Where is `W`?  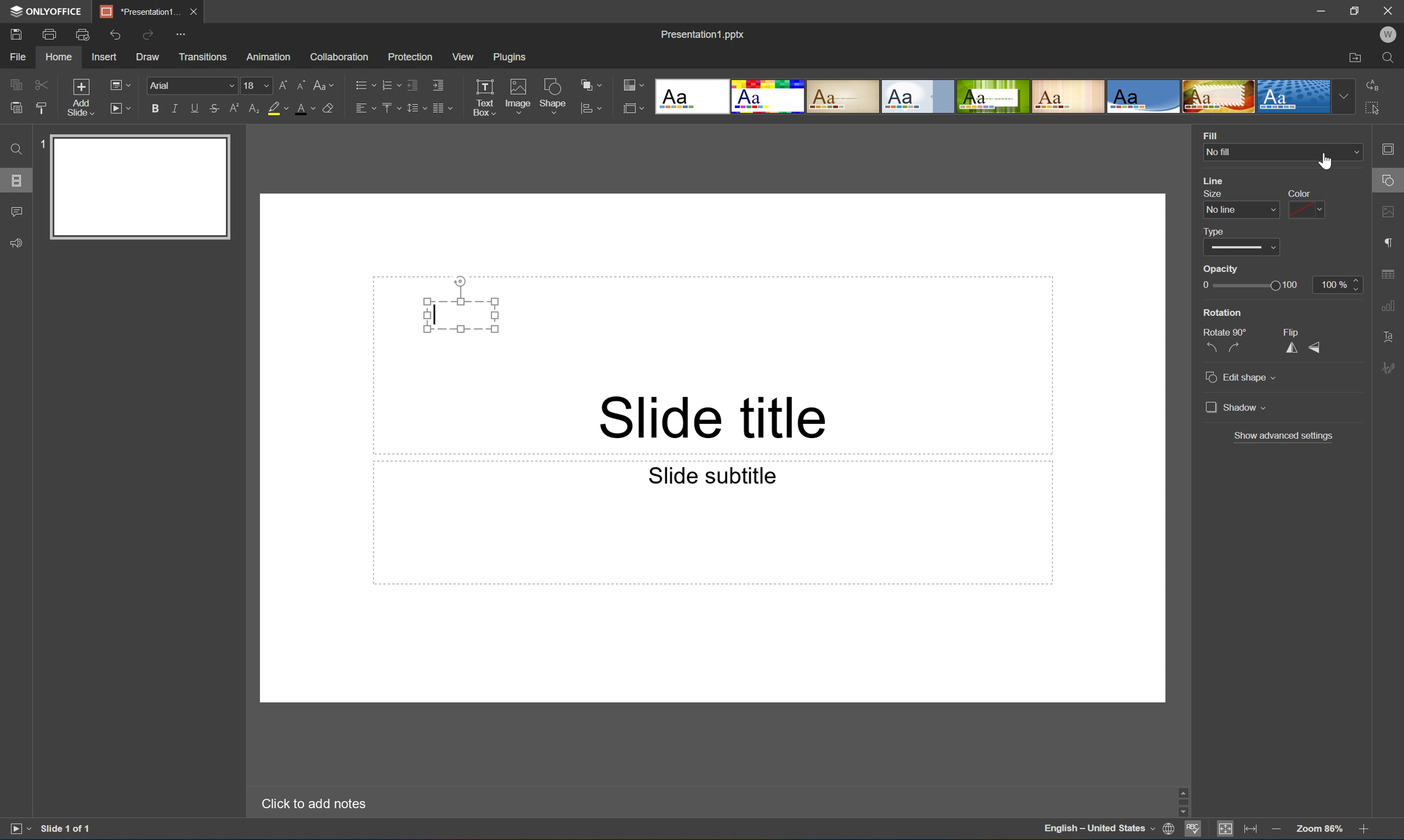
W is located at coordinates (1390, 35).